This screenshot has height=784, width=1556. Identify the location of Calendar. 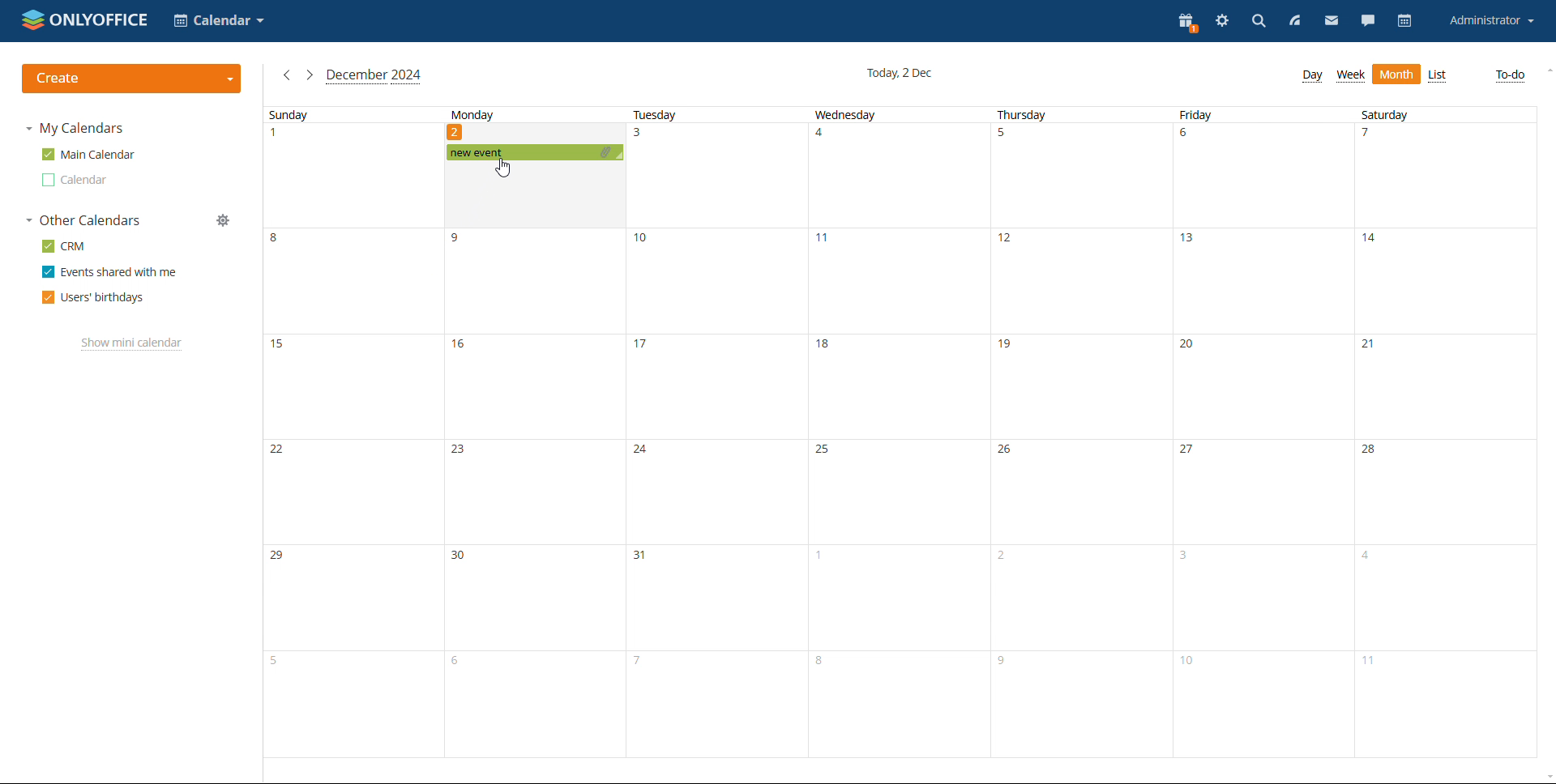
(220, 22).